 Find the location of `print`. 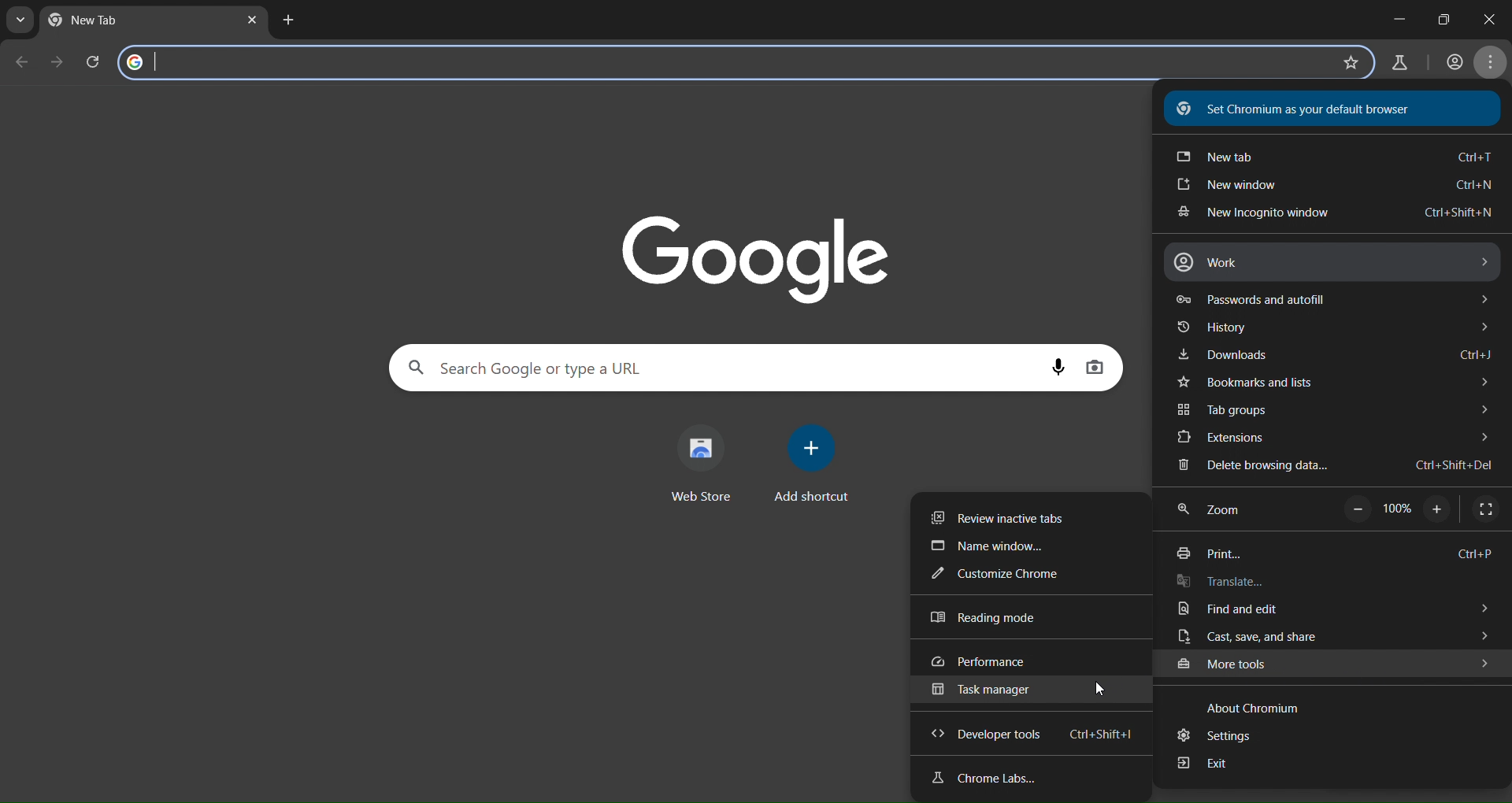

print is located at coordinates (1332, 554).